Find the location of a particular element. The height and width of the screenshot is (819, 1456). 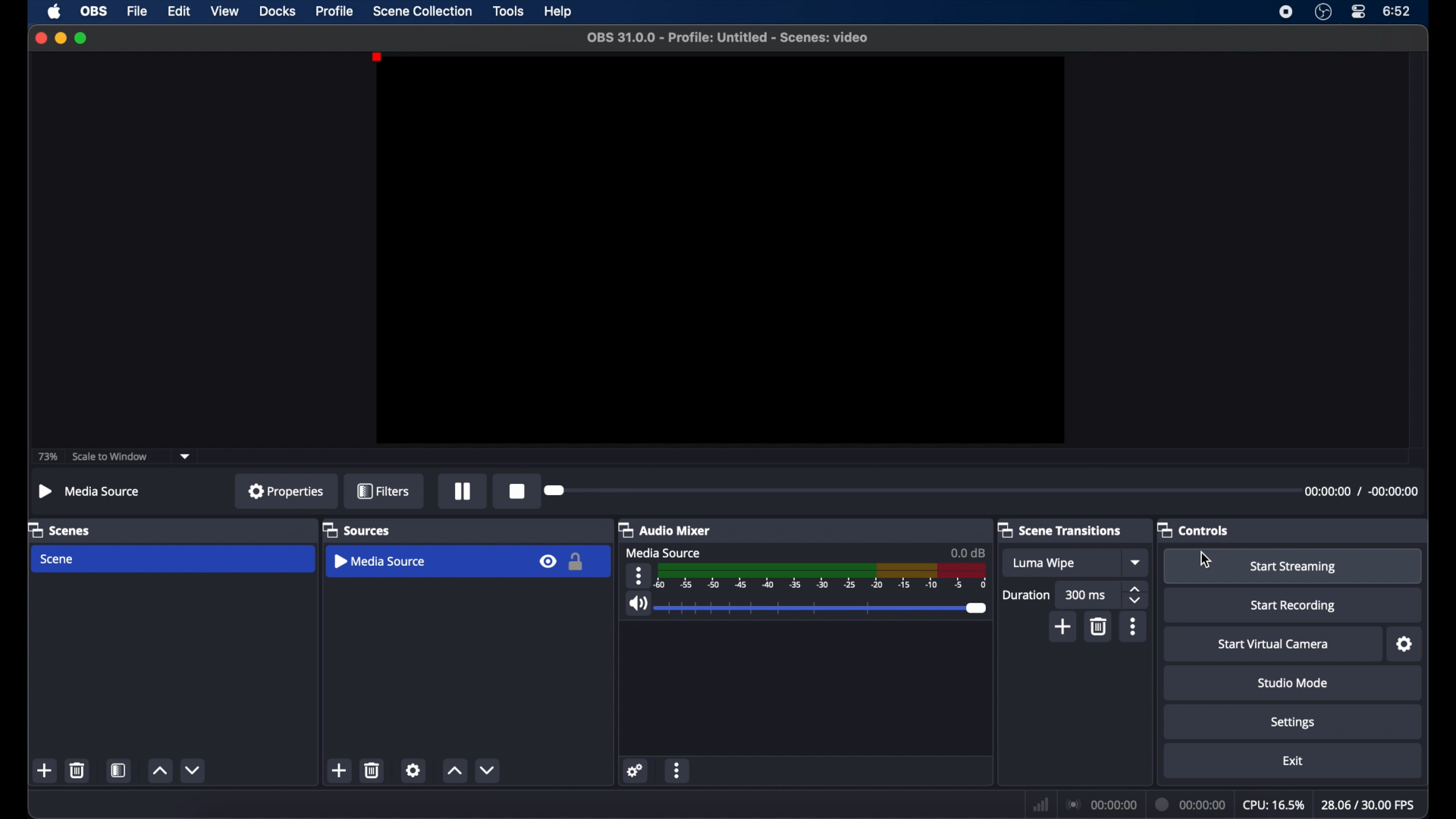

add is located at coordinates (1062, 626).